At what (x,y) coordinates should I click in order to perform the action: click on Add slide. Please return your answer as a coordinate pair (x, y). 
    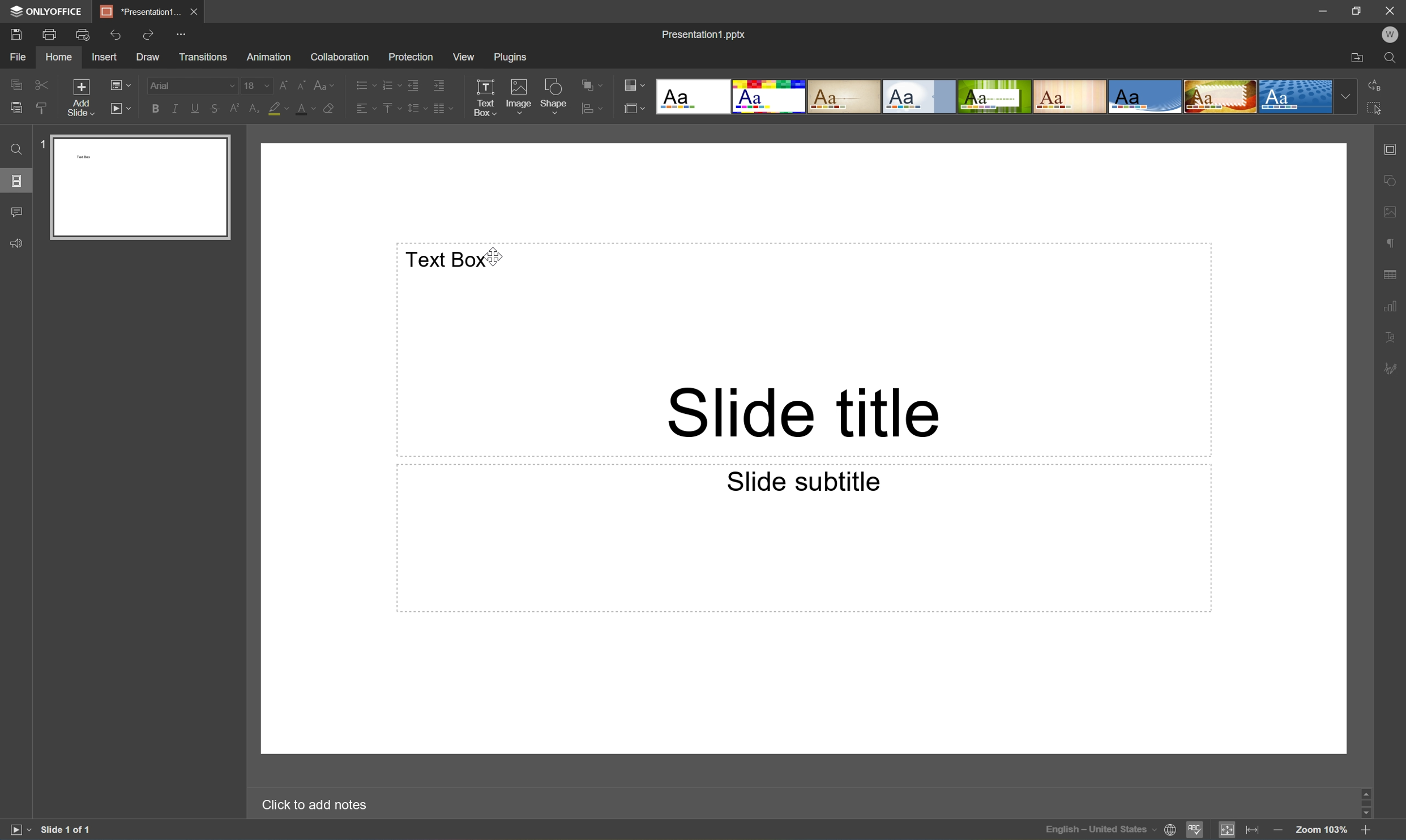
    Looking at the image, I should click on (81, 97).